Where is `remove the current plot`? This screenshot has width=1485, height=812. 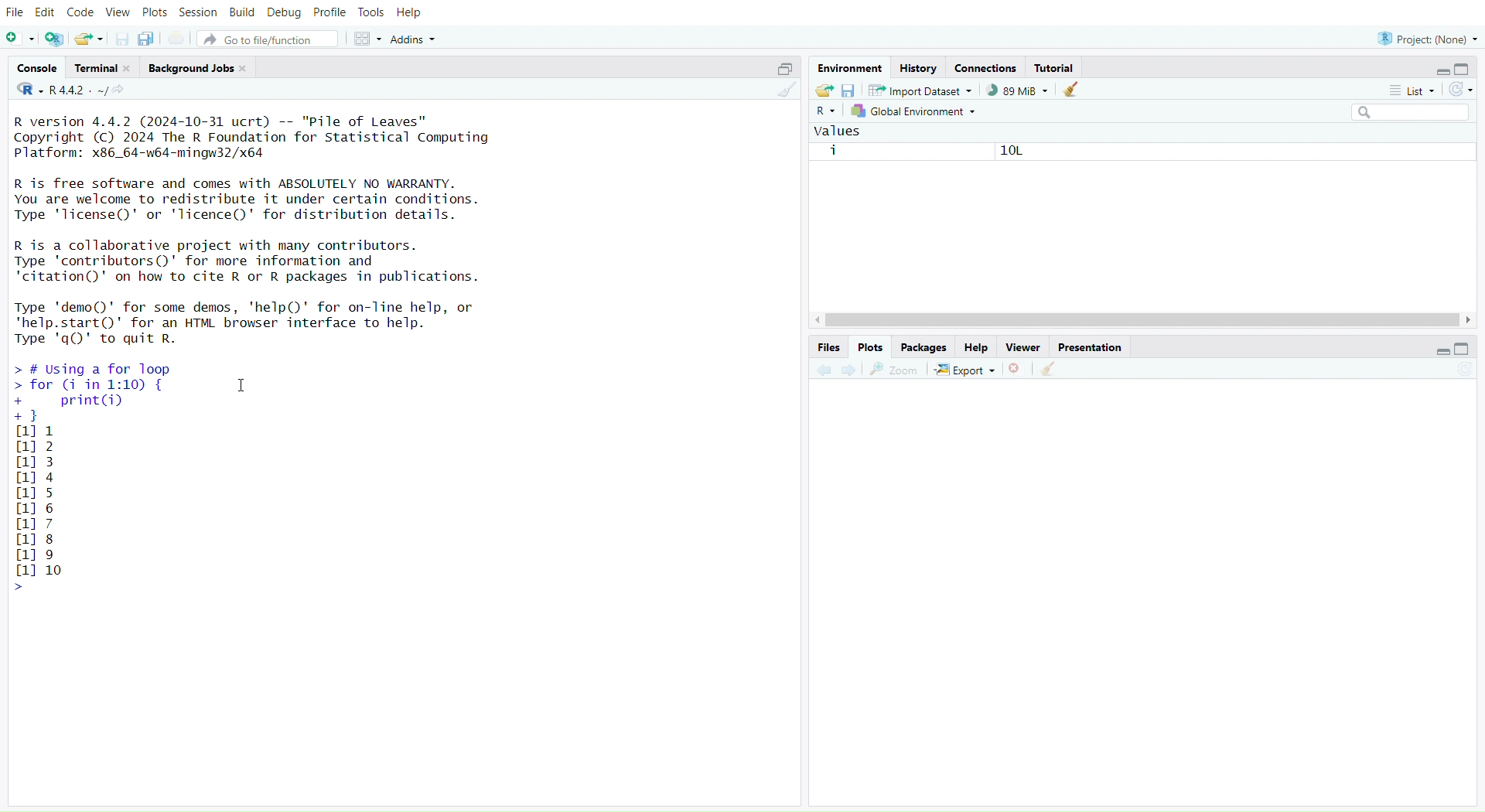 remove the current plot is located at coordinates (1016, 370).